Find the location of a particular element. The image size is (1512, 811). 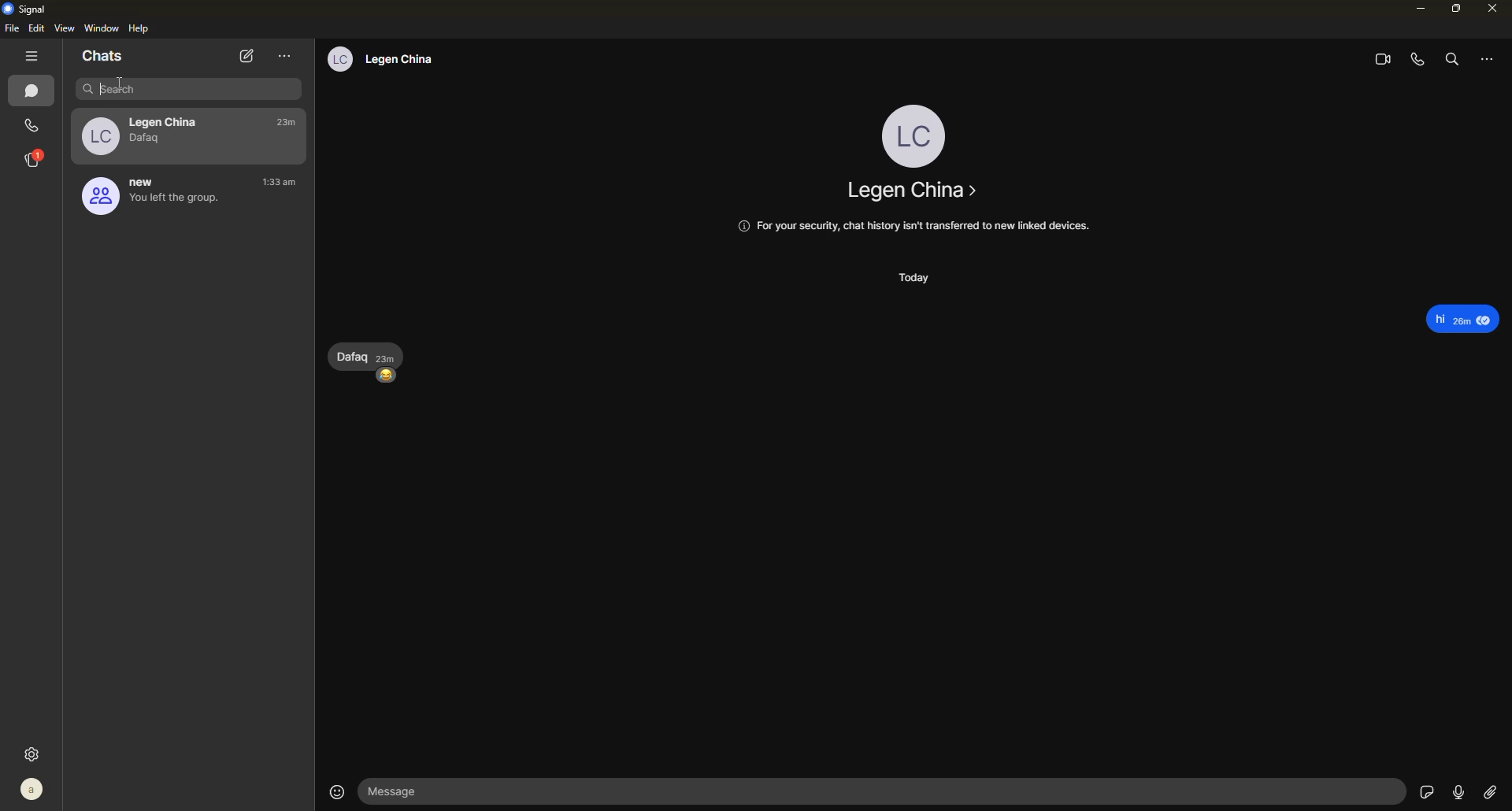

hide tabs is located at coordinates (30, 56).